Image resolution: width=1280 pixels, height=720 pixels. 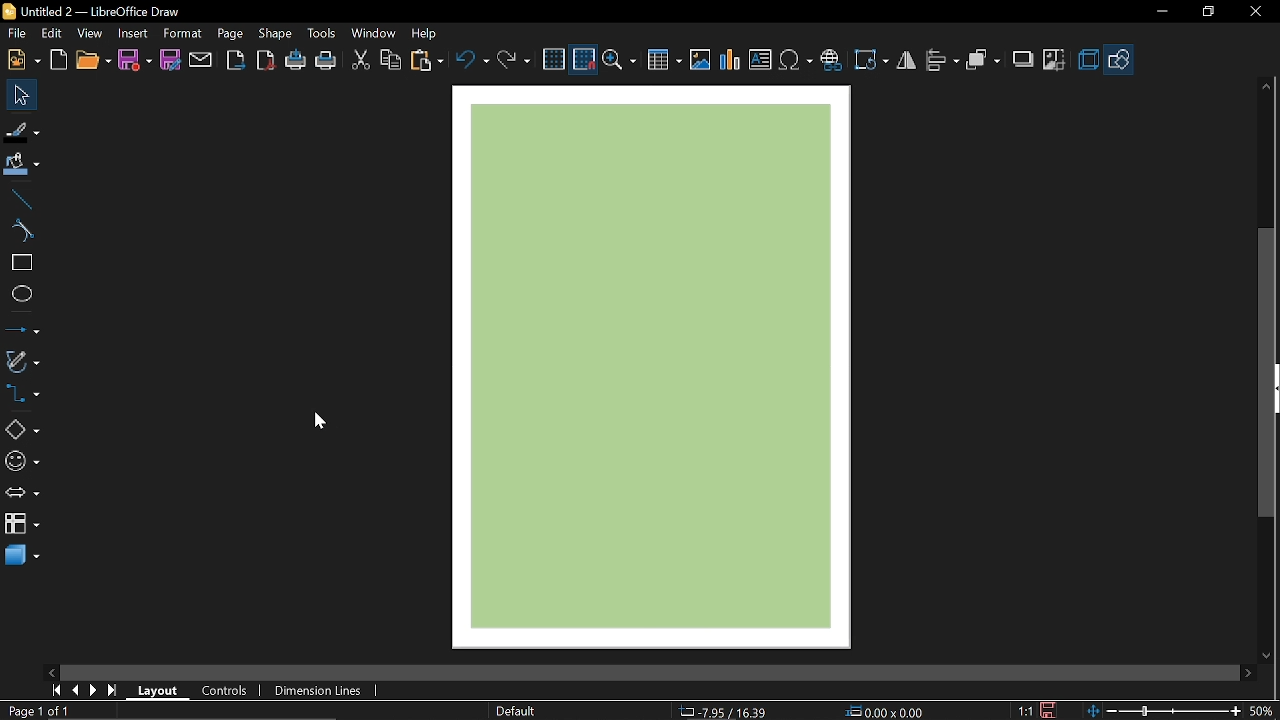 I want to click on Position, so click(x=886, y=710).